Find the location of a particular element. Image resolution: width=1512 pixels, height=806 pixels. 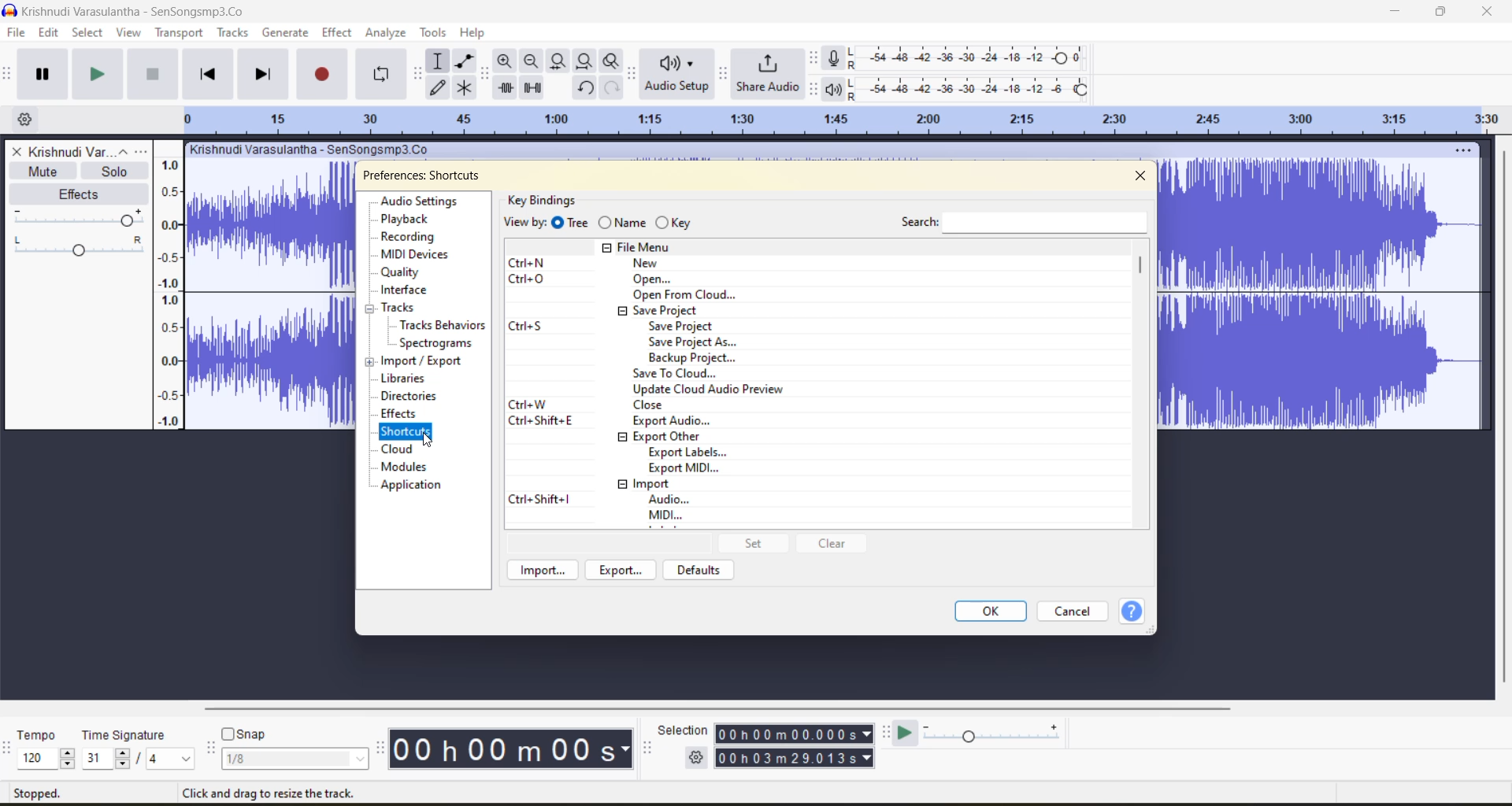

edit is located at coordinates (51, 35).